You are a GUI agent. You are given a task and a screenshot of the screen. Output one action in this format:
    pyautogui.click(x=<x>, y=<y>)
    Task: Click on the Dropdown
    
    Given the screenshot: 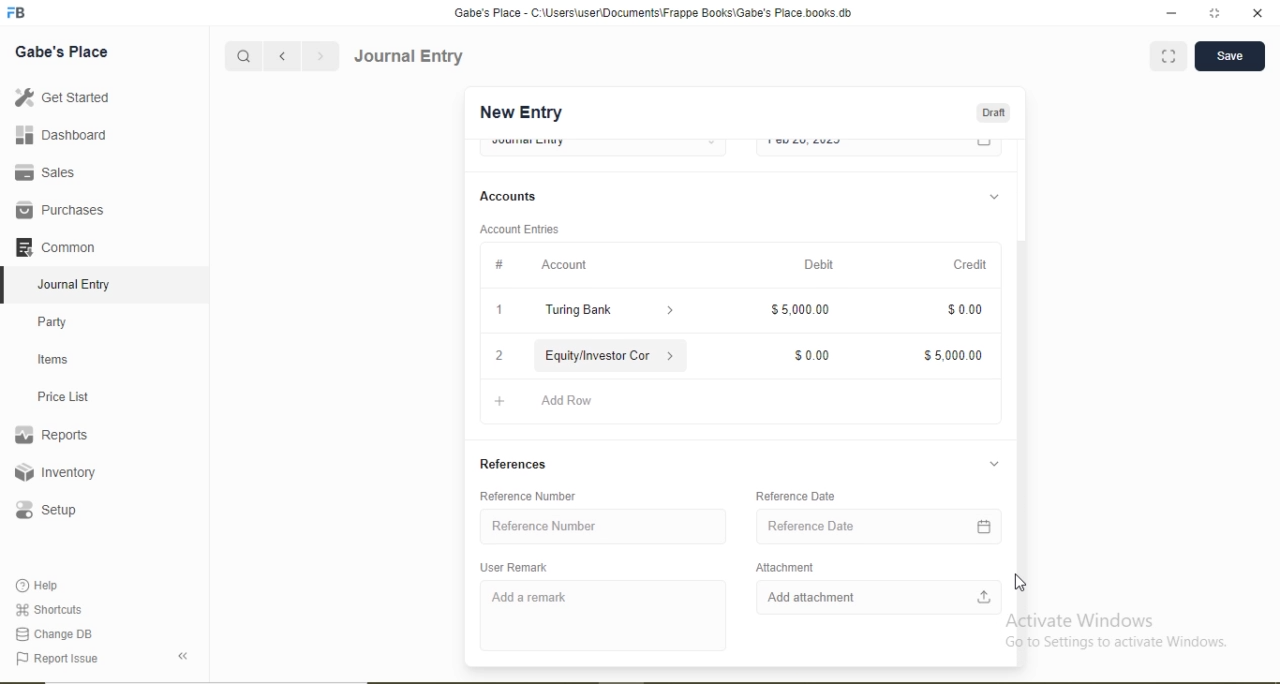 What is the action you would take?
    pyautogui.click(x=993, y=198)
    